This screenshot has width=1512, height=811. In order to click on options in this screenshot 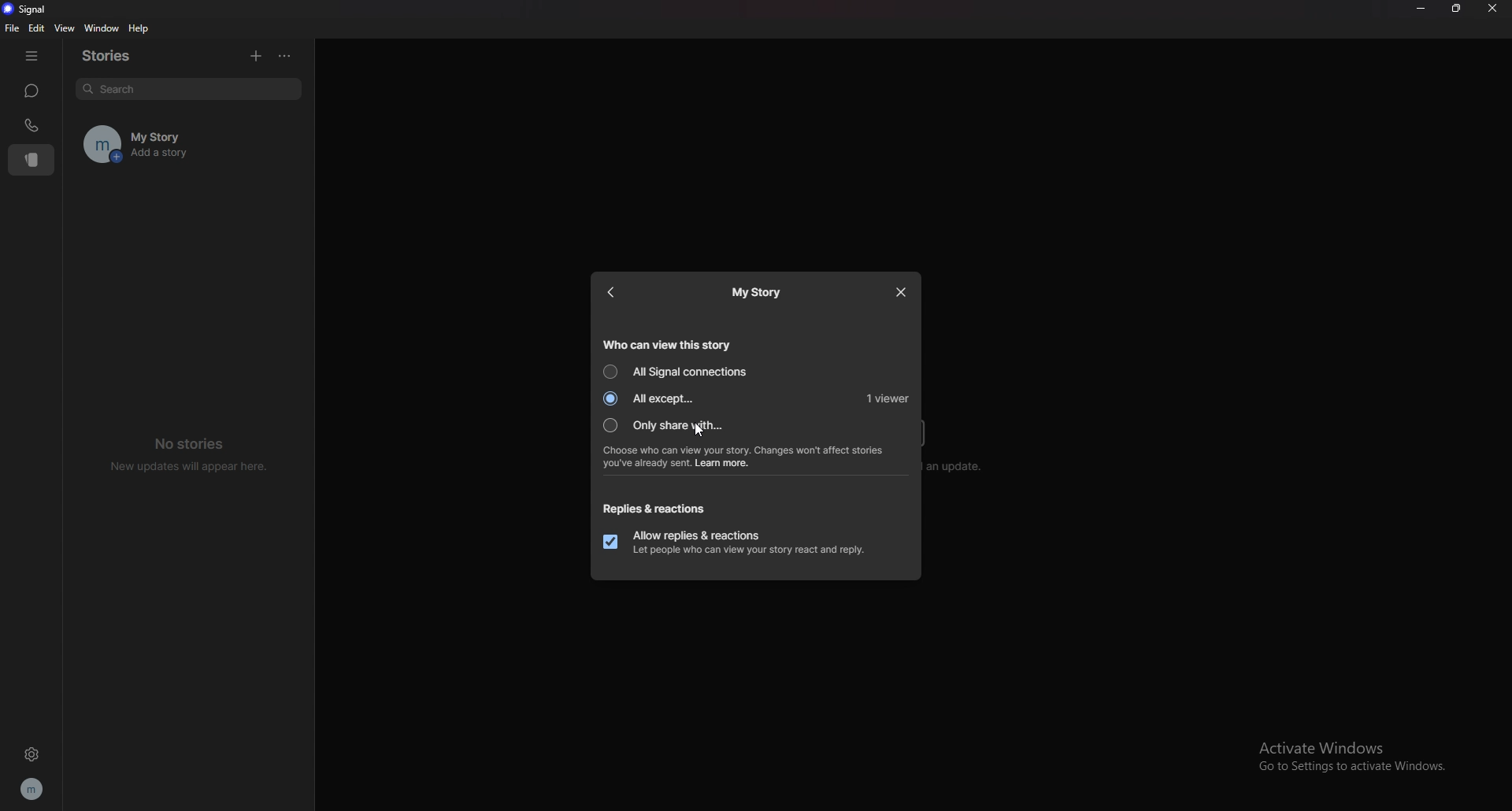, I will do `click(288, 54)`.